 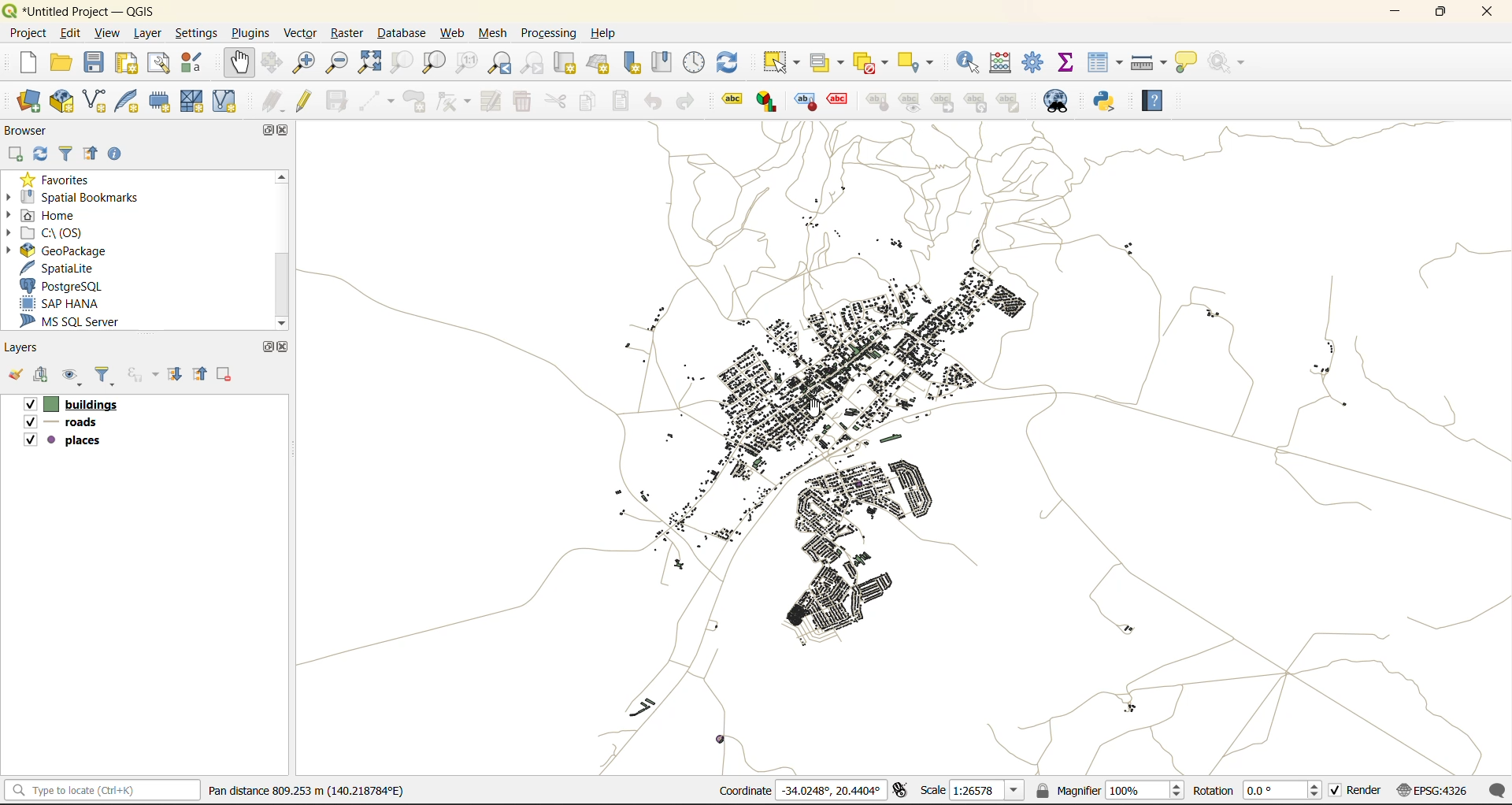 I want to click on temporary scratch layer, so click(x=160, y=101).